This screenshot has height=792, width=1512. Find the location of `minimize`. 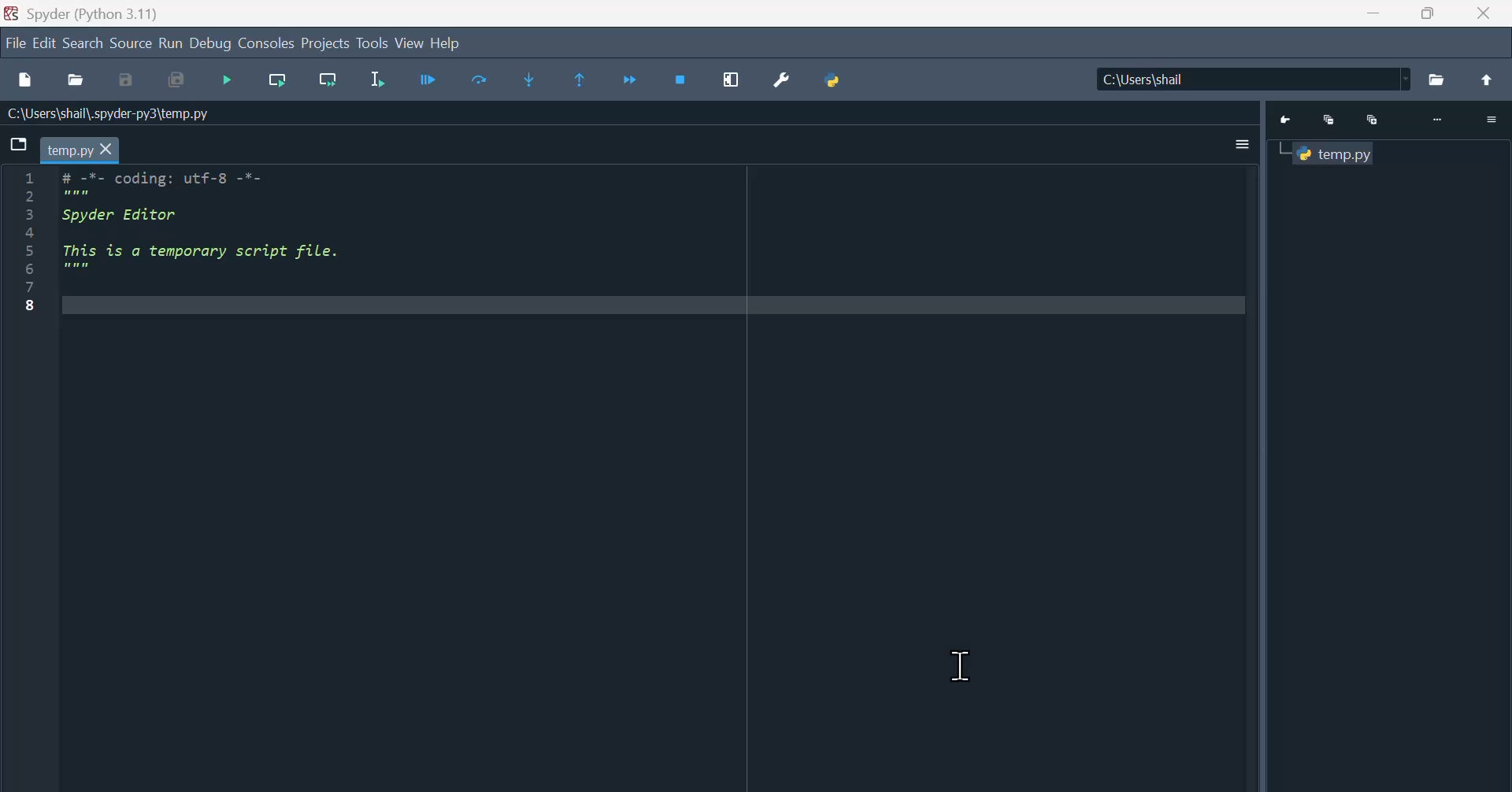

minimize is located at coordinates (1374, 13).